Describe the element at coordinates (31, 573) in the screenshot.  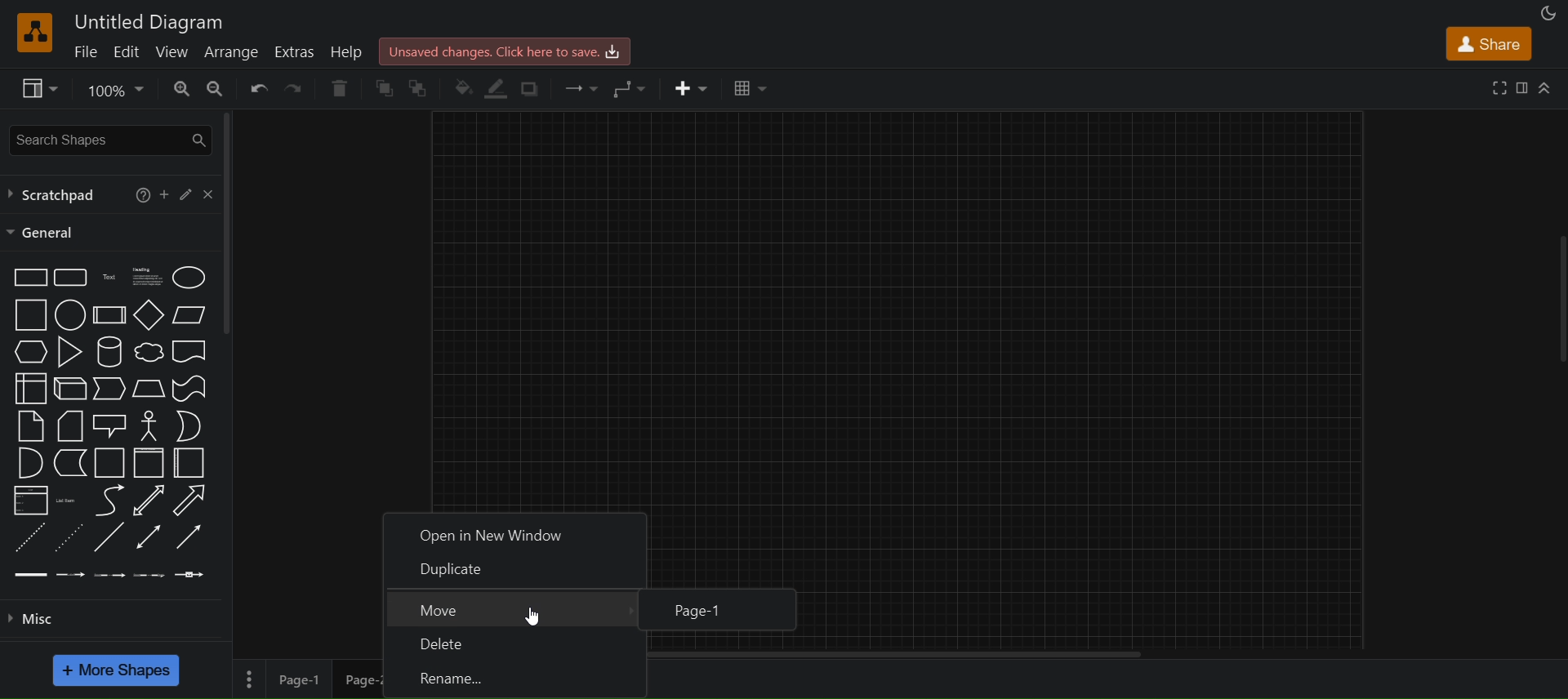
I see `link` at that location.